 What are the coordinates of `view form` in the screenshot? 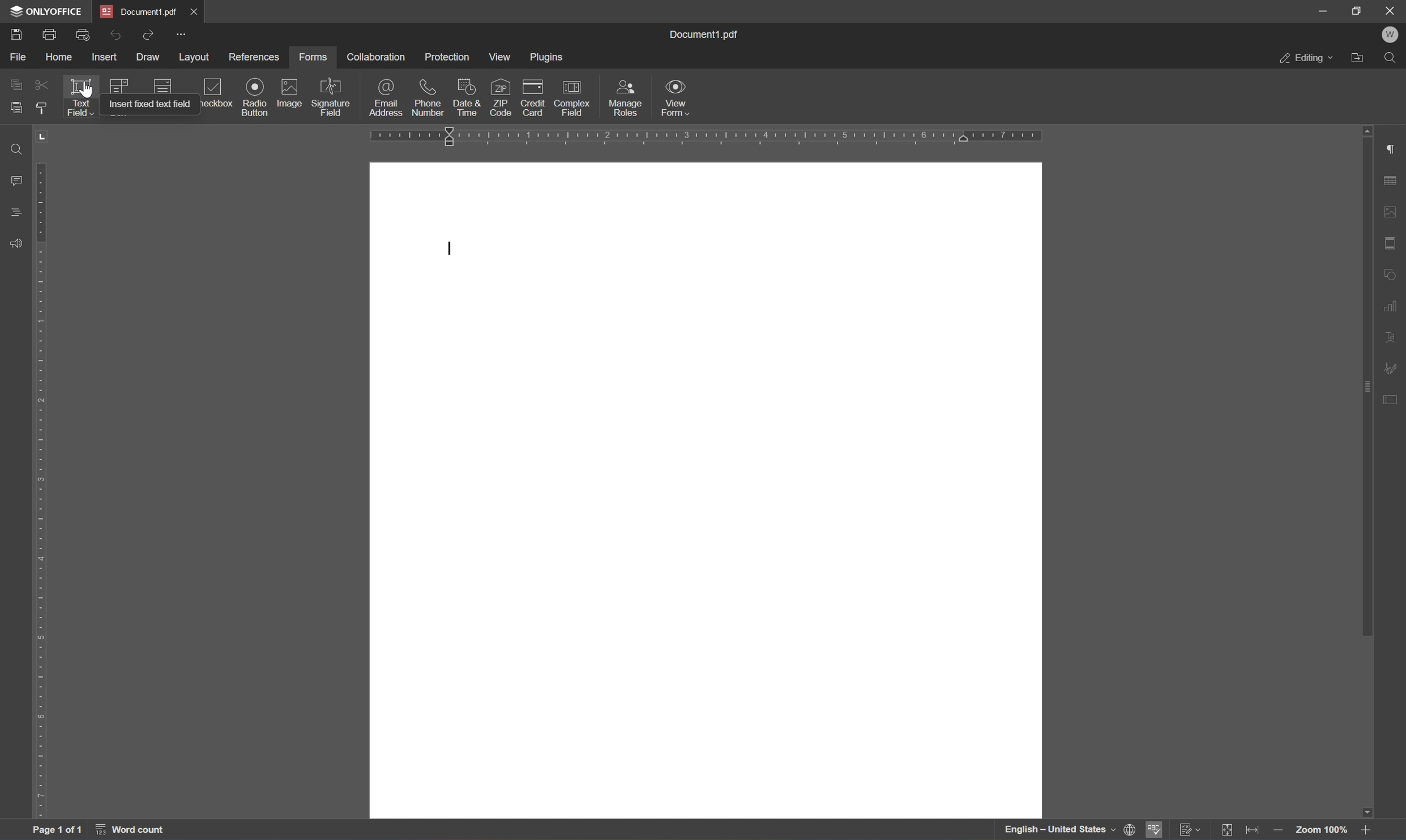 It's located at (677, 97).